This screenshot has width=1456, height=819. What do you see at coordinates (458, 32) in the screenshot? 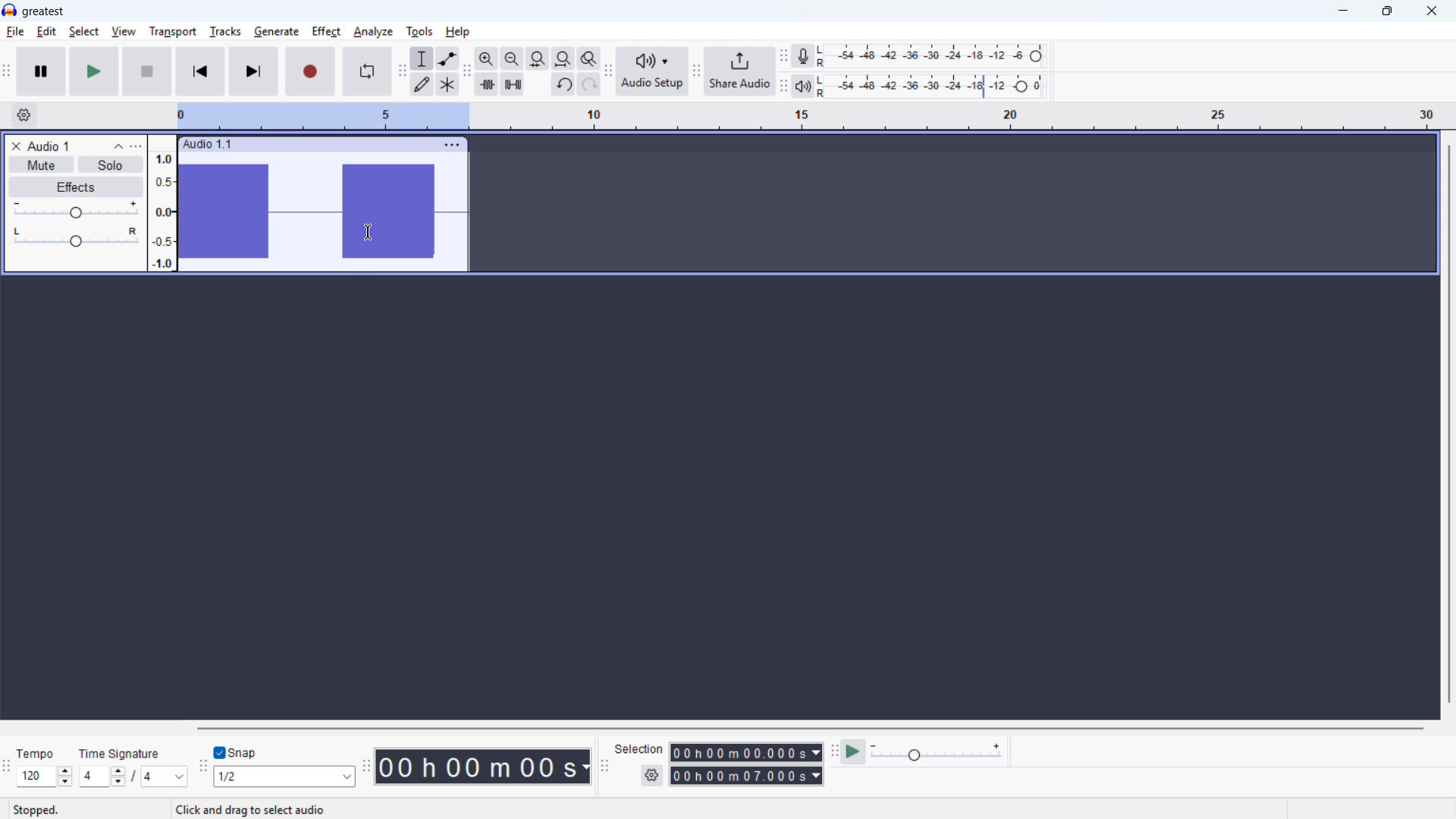
I see `help` at bounding box center [458, 32].